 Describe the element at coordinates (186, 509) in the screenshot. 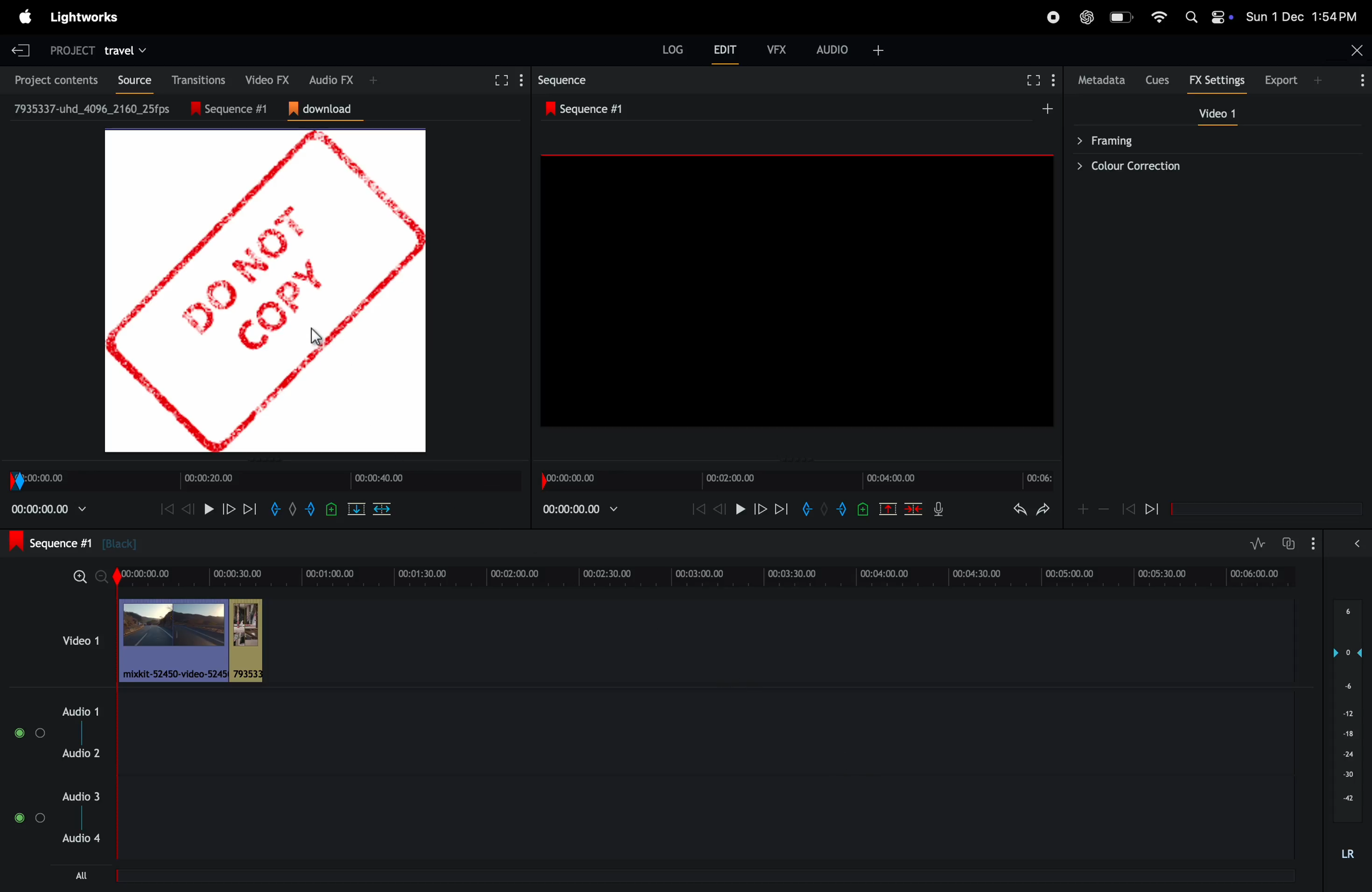

I see `rewind` at that location.